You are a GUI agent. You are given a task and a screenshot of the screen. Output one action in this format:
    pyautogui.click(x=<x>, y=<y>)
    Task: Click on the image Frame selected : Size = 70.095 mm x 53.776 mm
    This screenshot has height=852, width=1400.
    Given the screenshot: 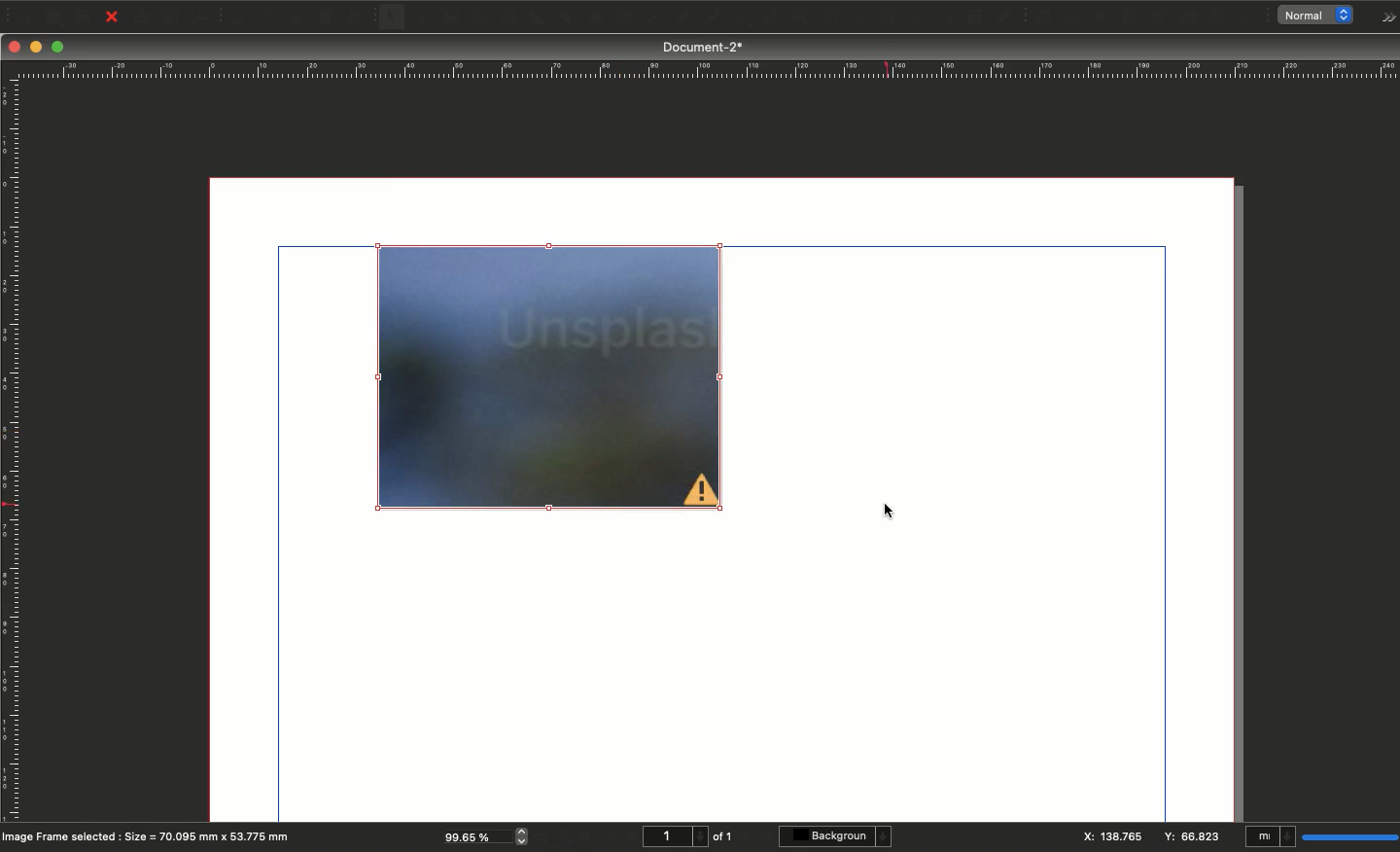 What is the action you would take?
    pyautogui.click(x=157, y=871)
    